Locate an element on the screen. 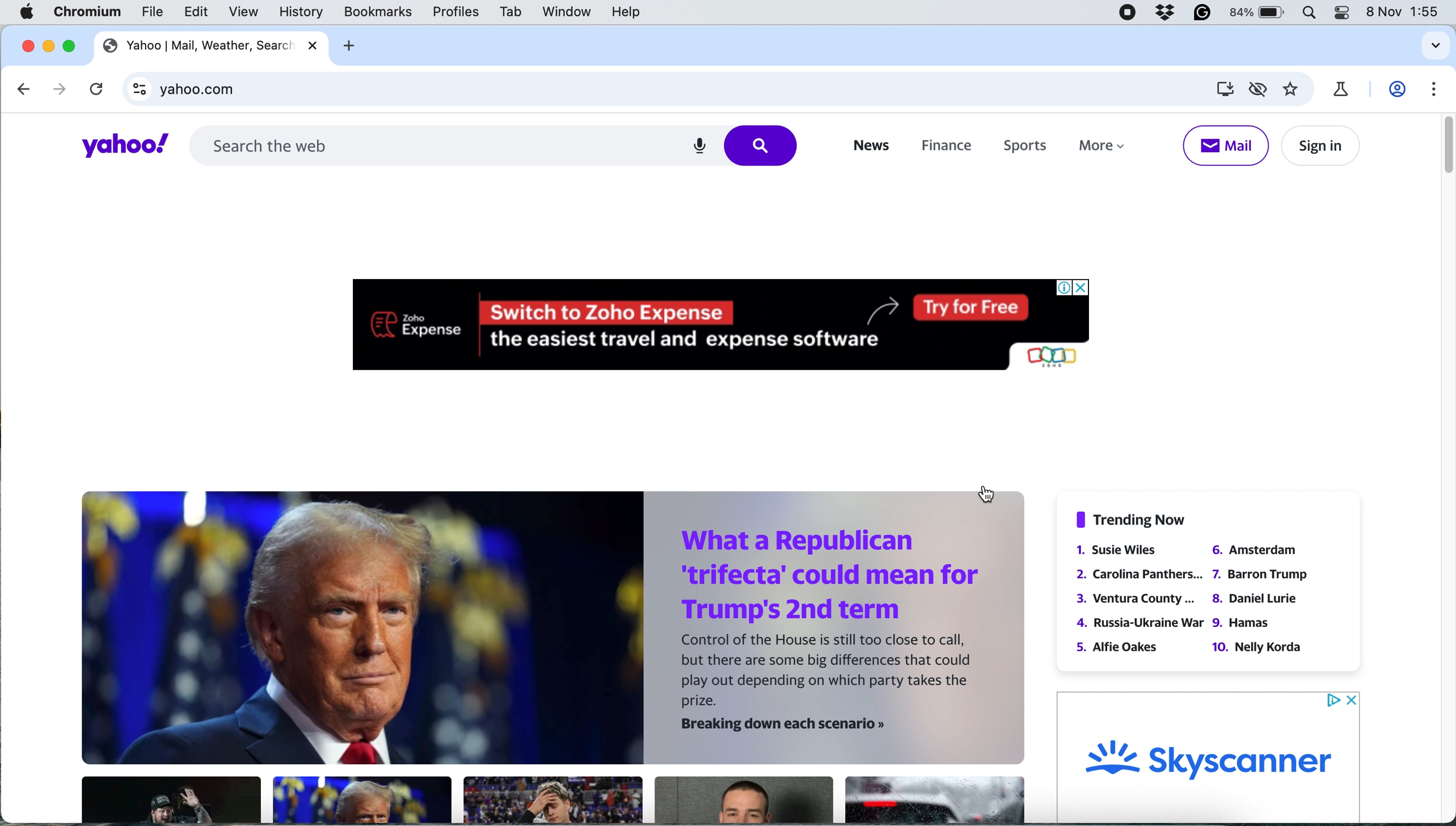 This screenshot has height=826, width=1456. tab is located at coordinates (513, 11).